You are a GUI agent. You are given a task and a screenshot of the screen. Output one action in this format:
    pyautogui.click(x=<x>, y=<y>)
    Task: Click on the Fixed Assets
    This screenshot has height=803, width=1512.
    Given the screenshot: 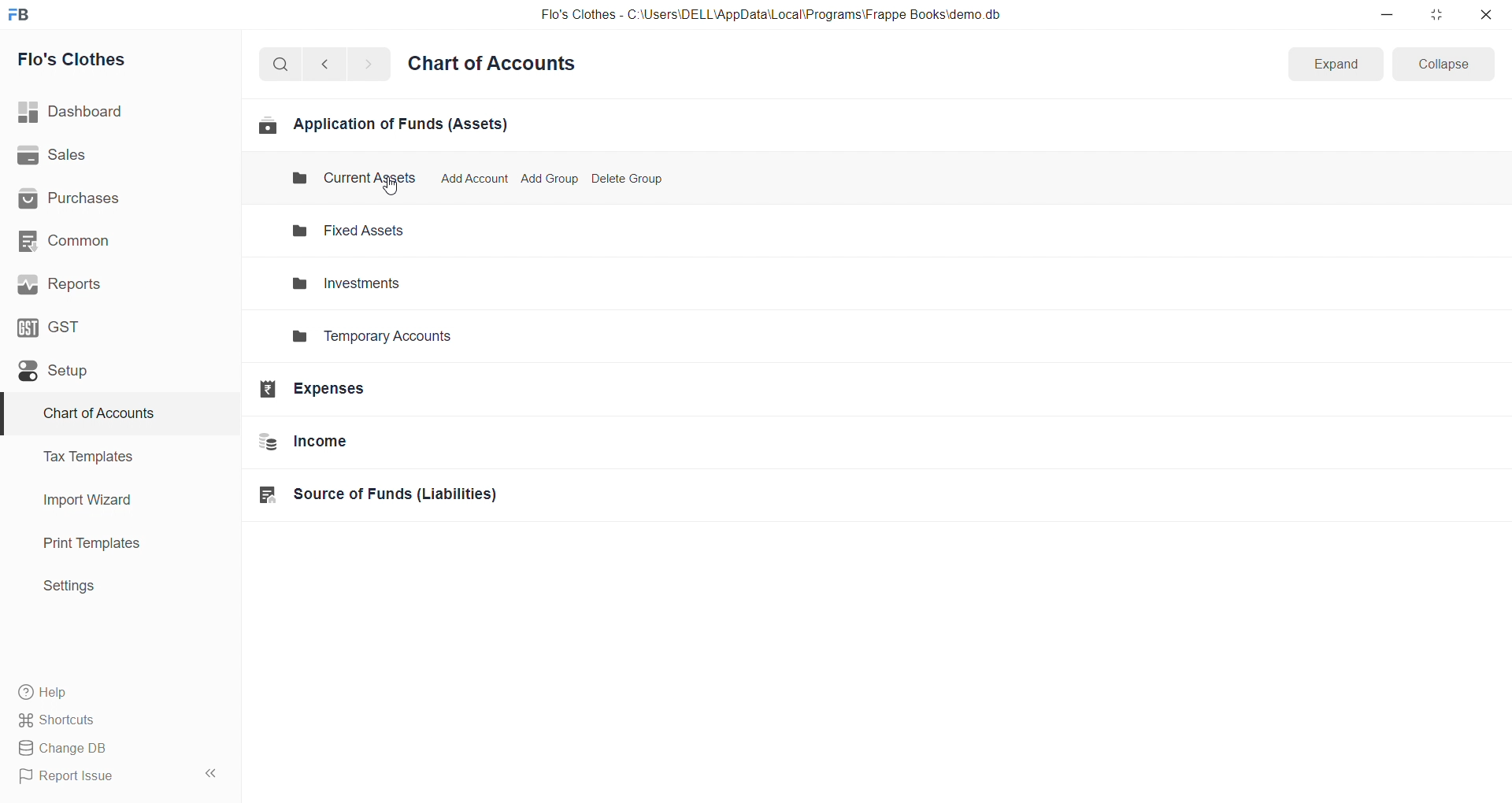 What is the action you would take?
    pyautogui.click(x=362, y=234)
    